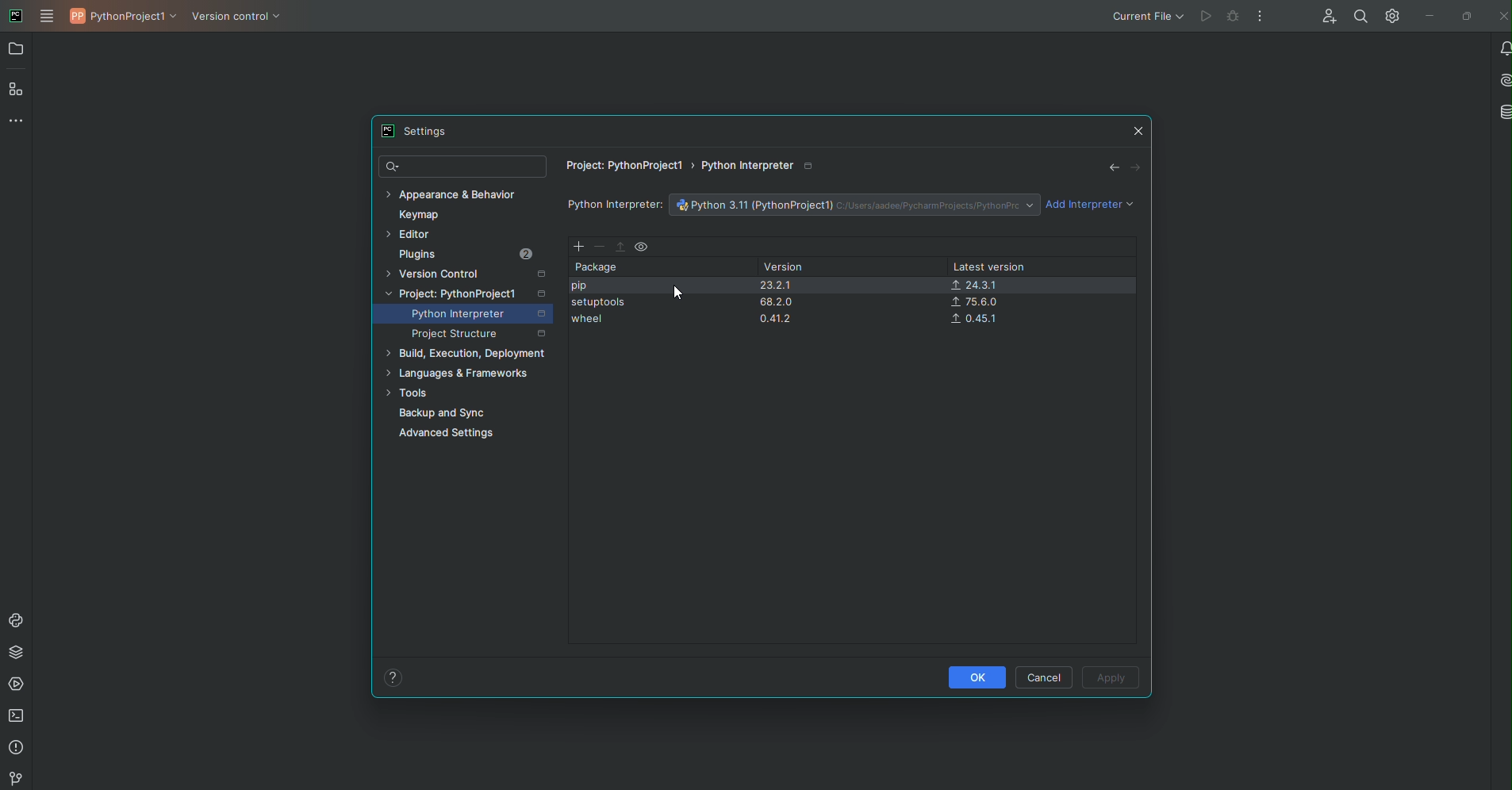  Describe the element at coordinates (469, 292) in the screenshot. I see `Project` at that location.